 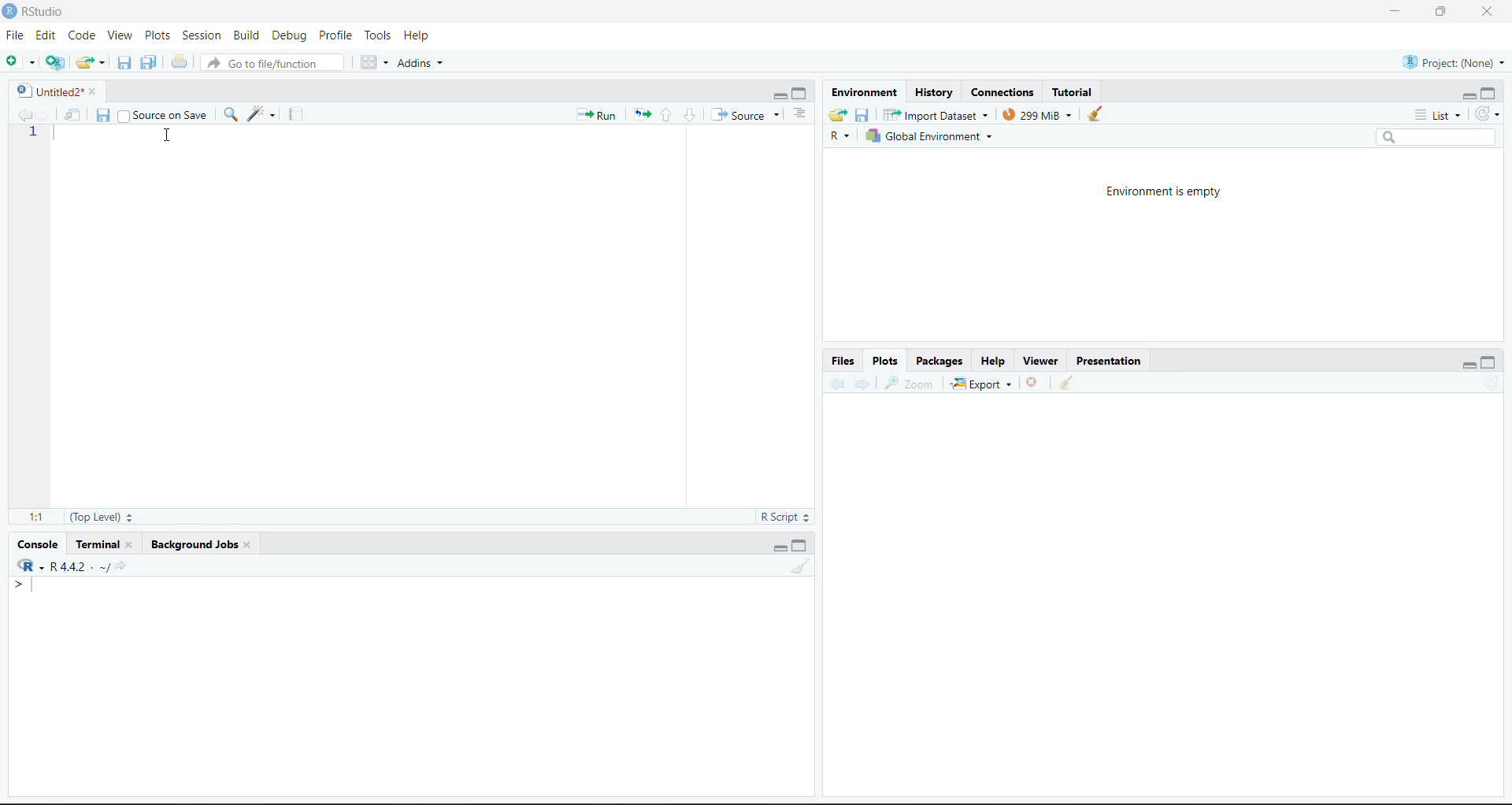 What do you see at coordinates (1095, 113) in the screenshot?
I see `clear objects from the workspace` at bounding box center [1095, 113].